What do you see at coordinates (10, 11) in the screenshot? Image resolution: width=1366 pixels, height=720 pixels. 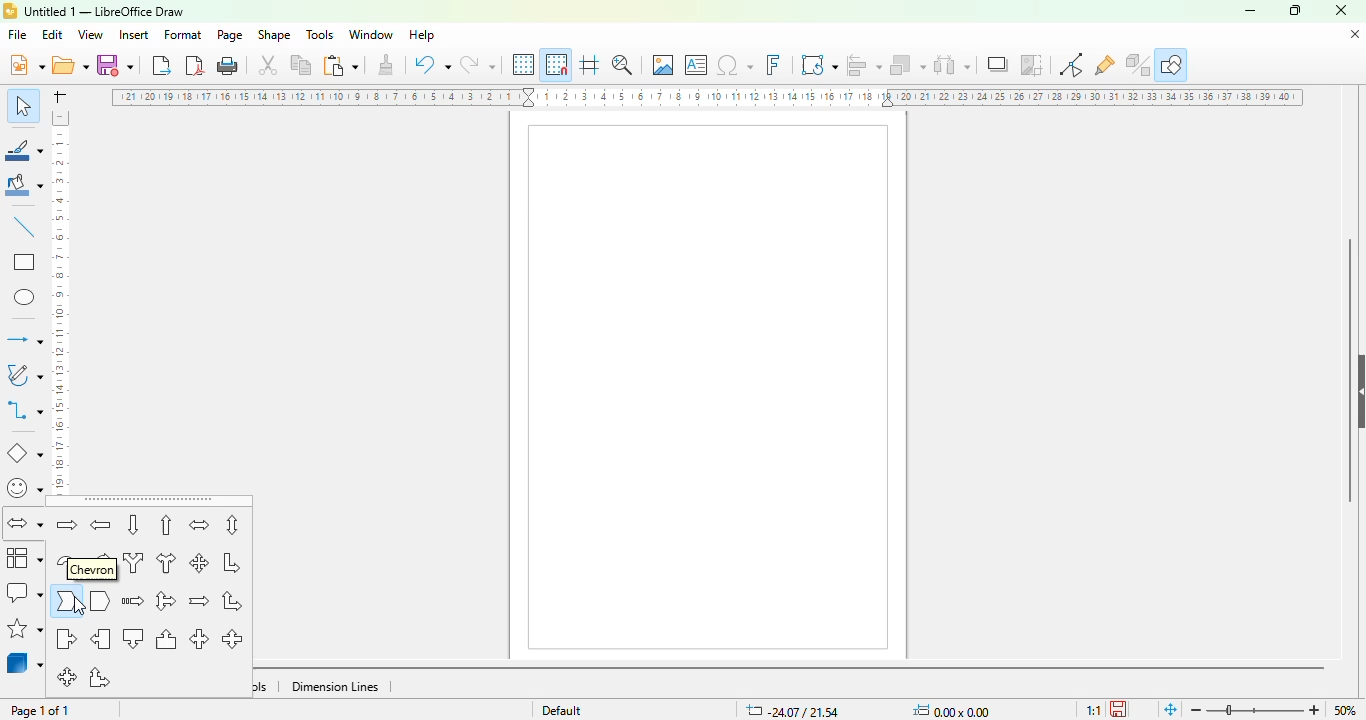 I see `logo` at bounding box center [10, 11].